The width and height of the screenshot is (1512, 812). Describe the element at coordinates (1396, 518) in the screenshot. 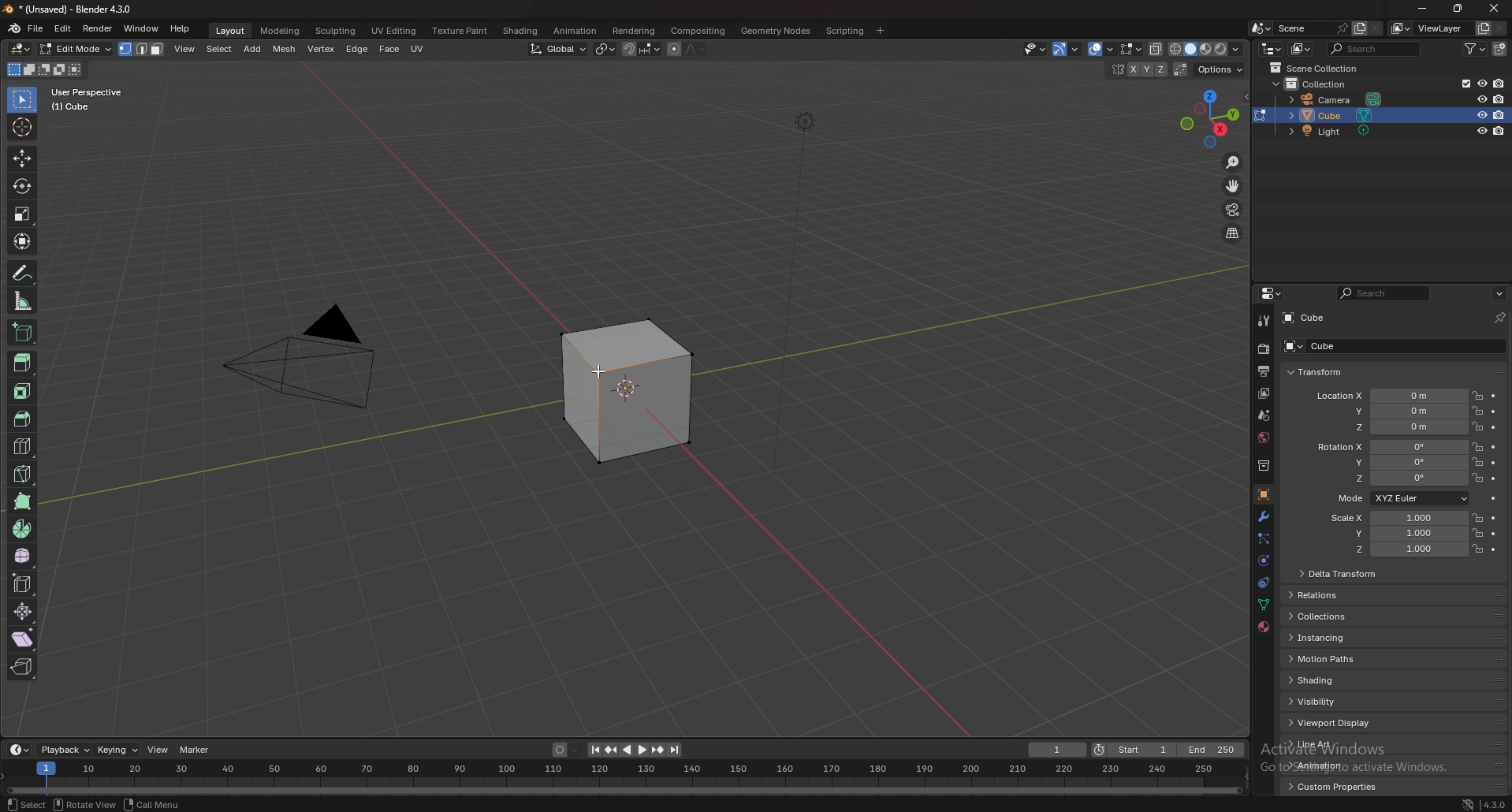

I see `scale x` at that location.